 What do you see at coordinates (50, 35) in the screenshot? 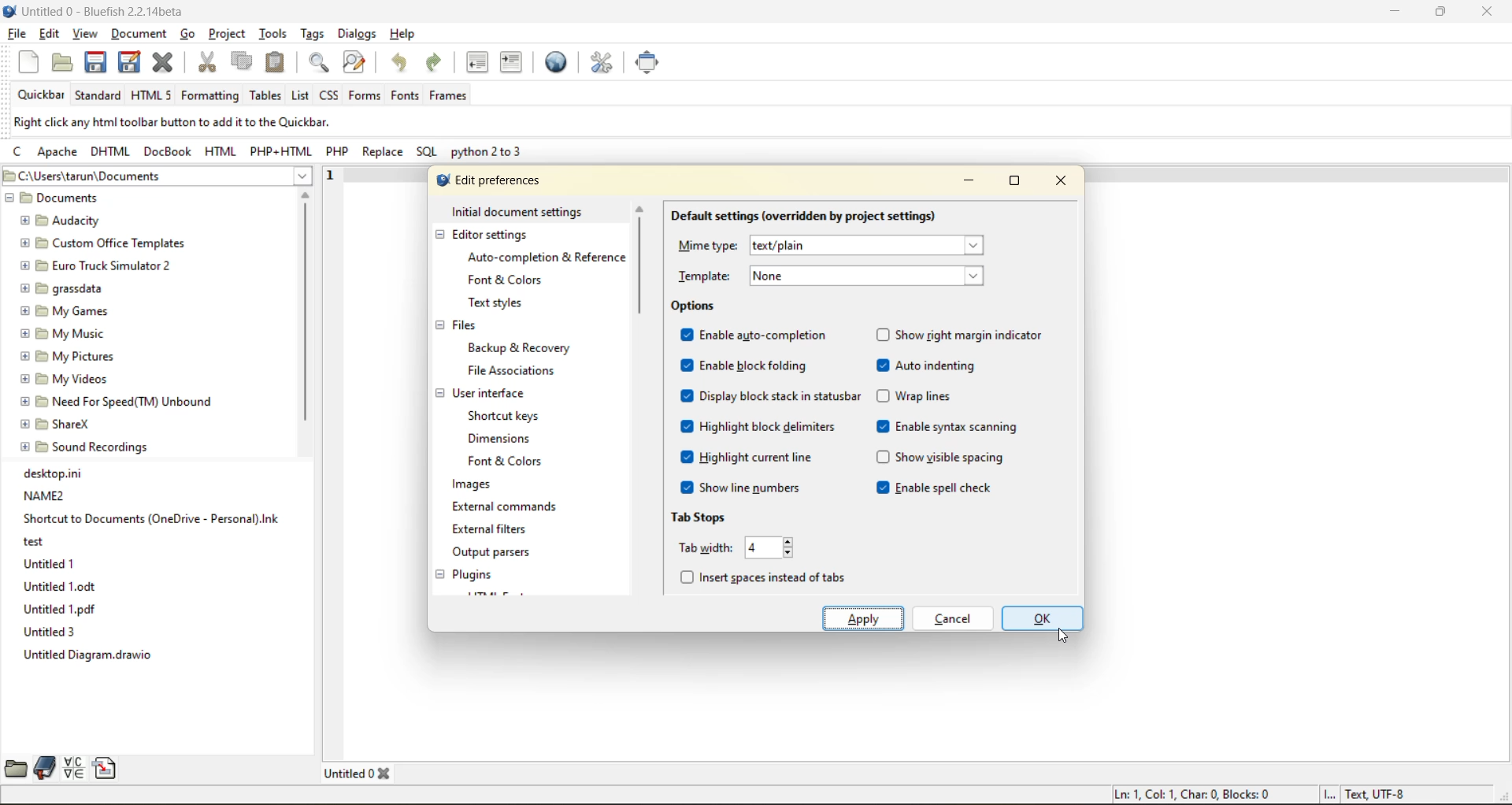
I see `edit` at bounding box center [50, 35].